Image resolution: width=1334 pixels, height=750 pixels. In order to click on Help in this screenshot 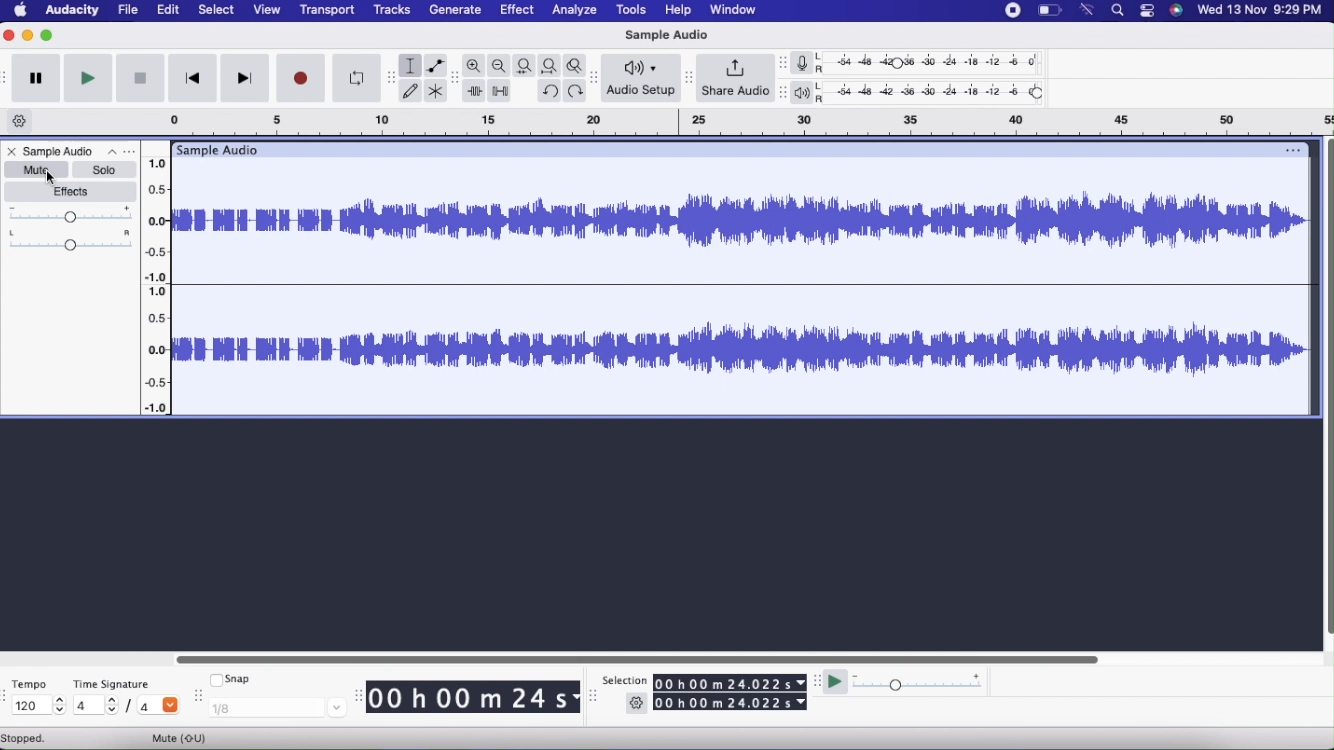, I will do `click(677, 9)`.